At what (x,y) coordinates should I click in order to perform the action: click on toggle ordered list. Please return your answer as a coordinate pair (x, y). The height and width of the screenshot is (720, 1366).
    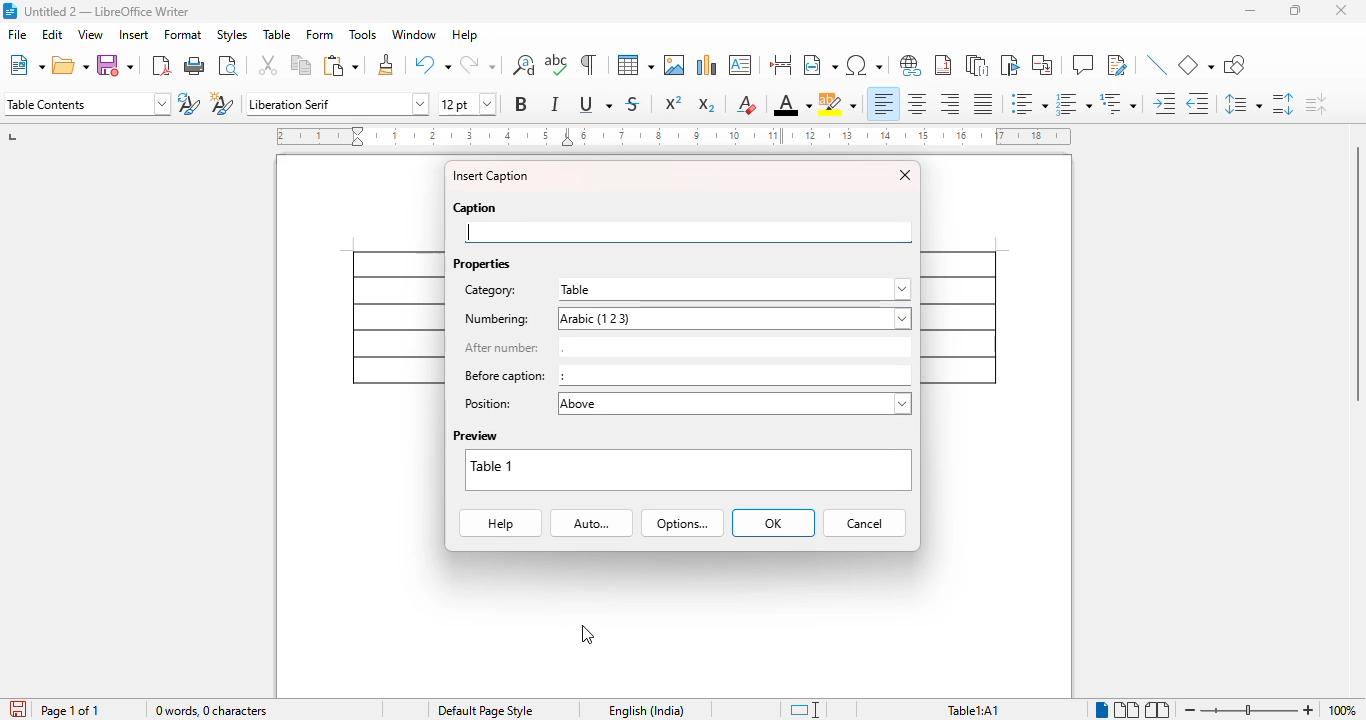
    Looking at the image, I should click on (1074, 104).